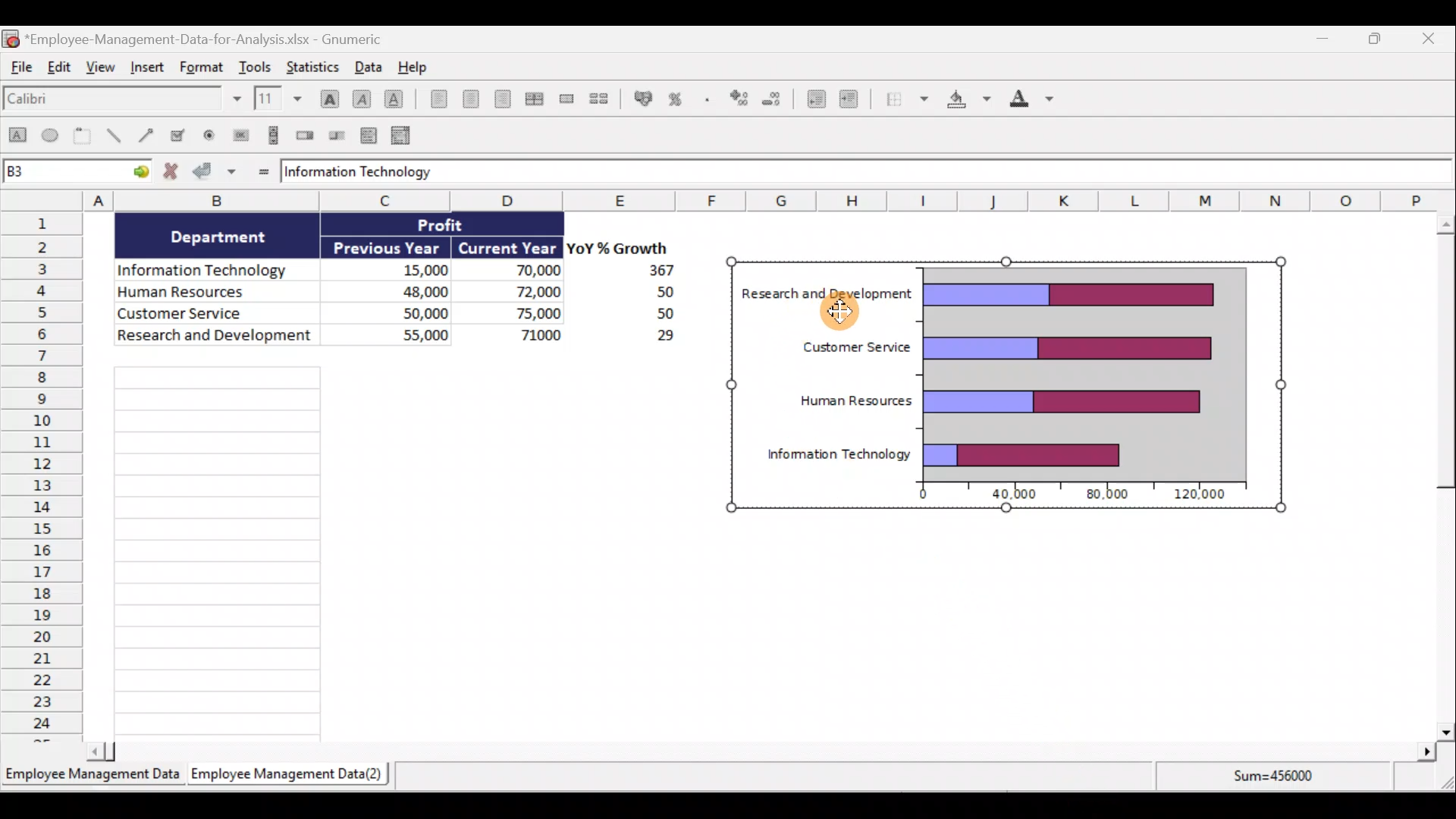 Image resolution: width=1456 pixels, height=819 pixels. I want to click on Font name, so click(124, 100).